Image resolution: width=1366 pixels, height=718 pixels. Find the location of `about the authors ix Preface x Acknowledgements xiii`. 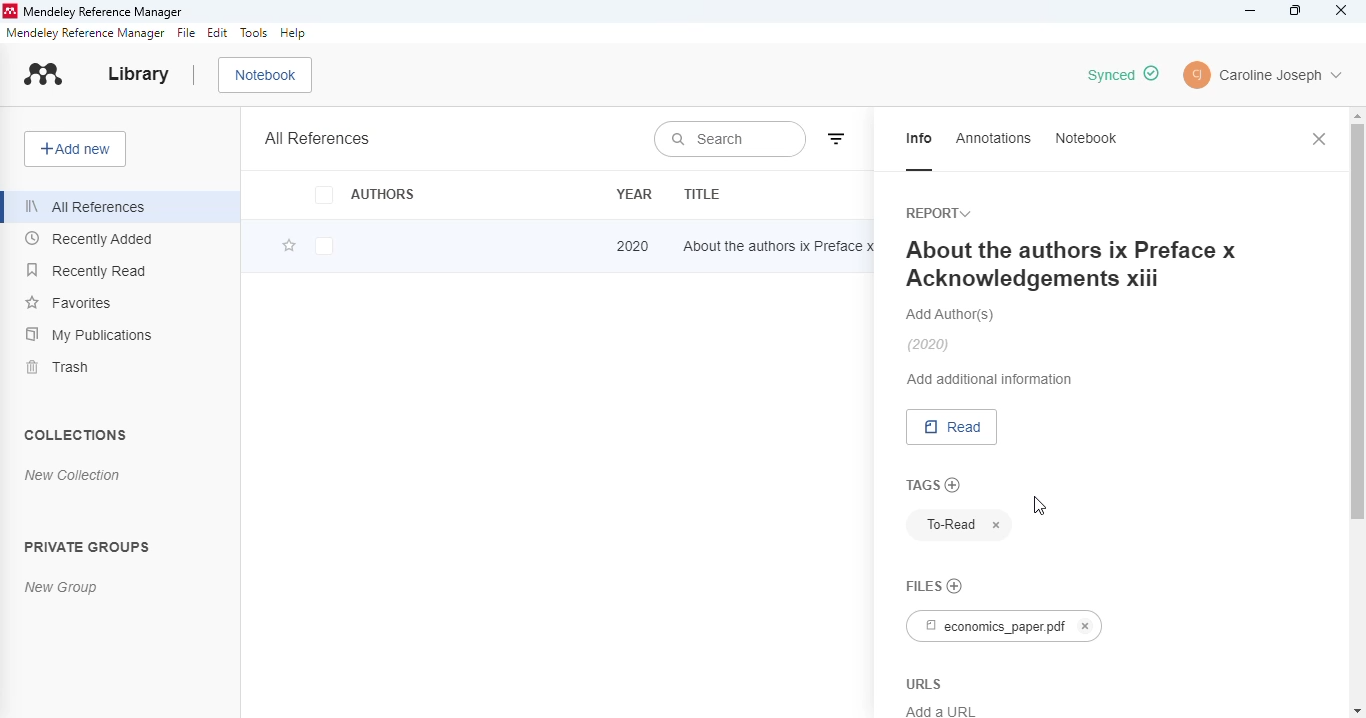

about the authors ix Preface x Acknowledgements xiii is located at coordinates (782, 245).